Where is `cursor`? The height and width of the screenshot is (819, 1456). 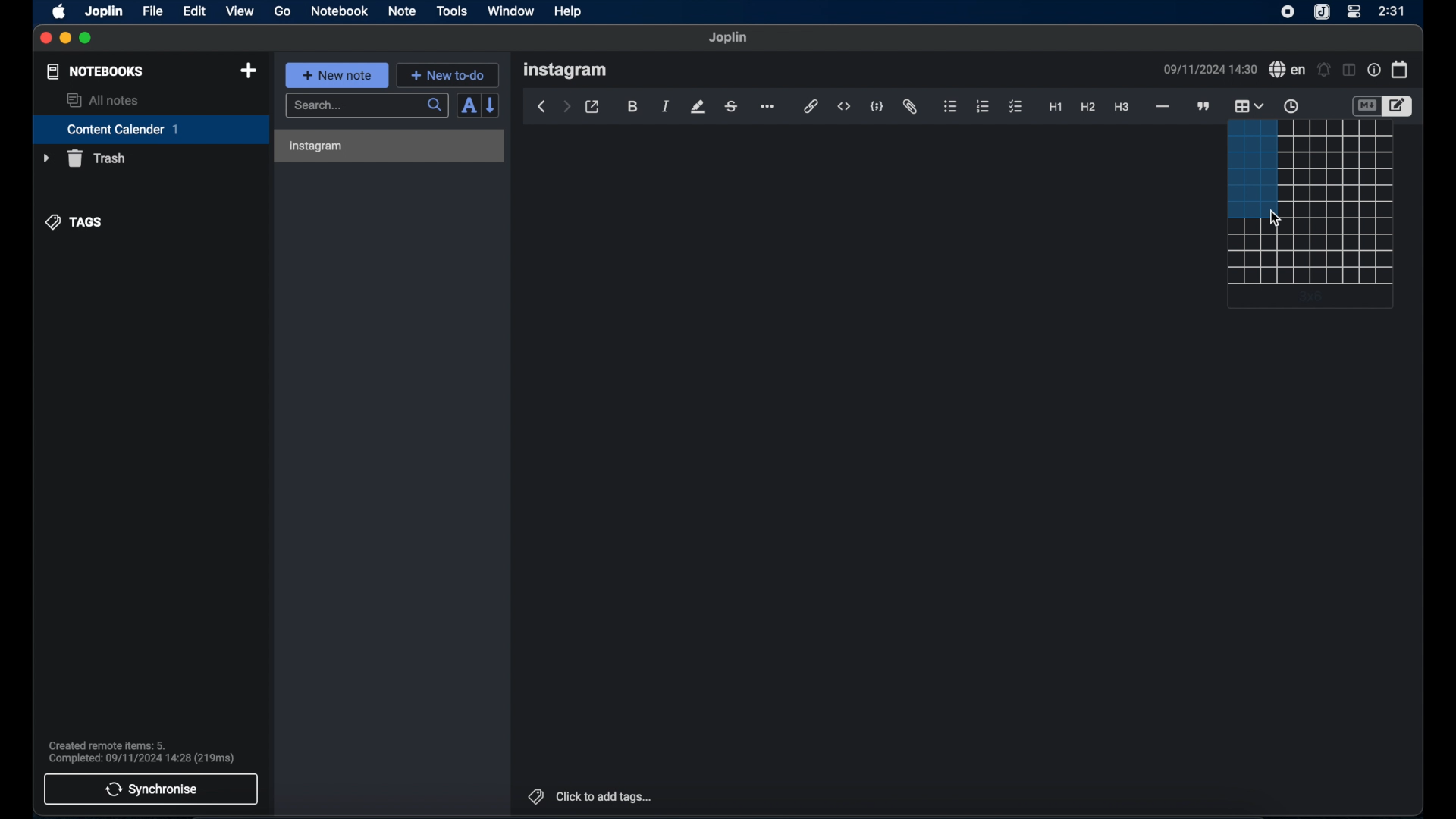 cursor is located at coordinates (1277, 218).